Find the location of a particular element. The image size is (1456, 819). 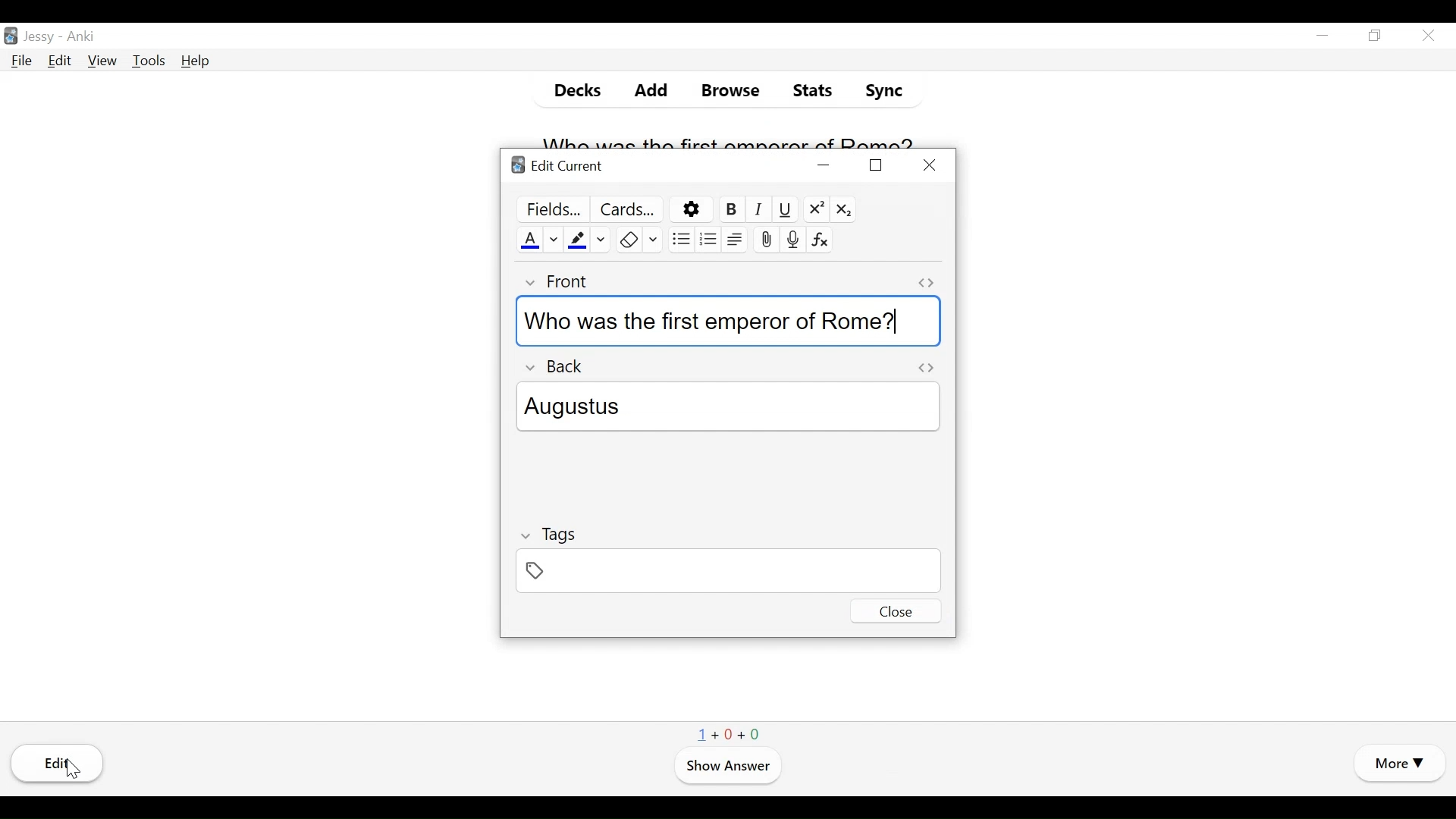

Bold Selected Text is located at coordinates (729, 209).